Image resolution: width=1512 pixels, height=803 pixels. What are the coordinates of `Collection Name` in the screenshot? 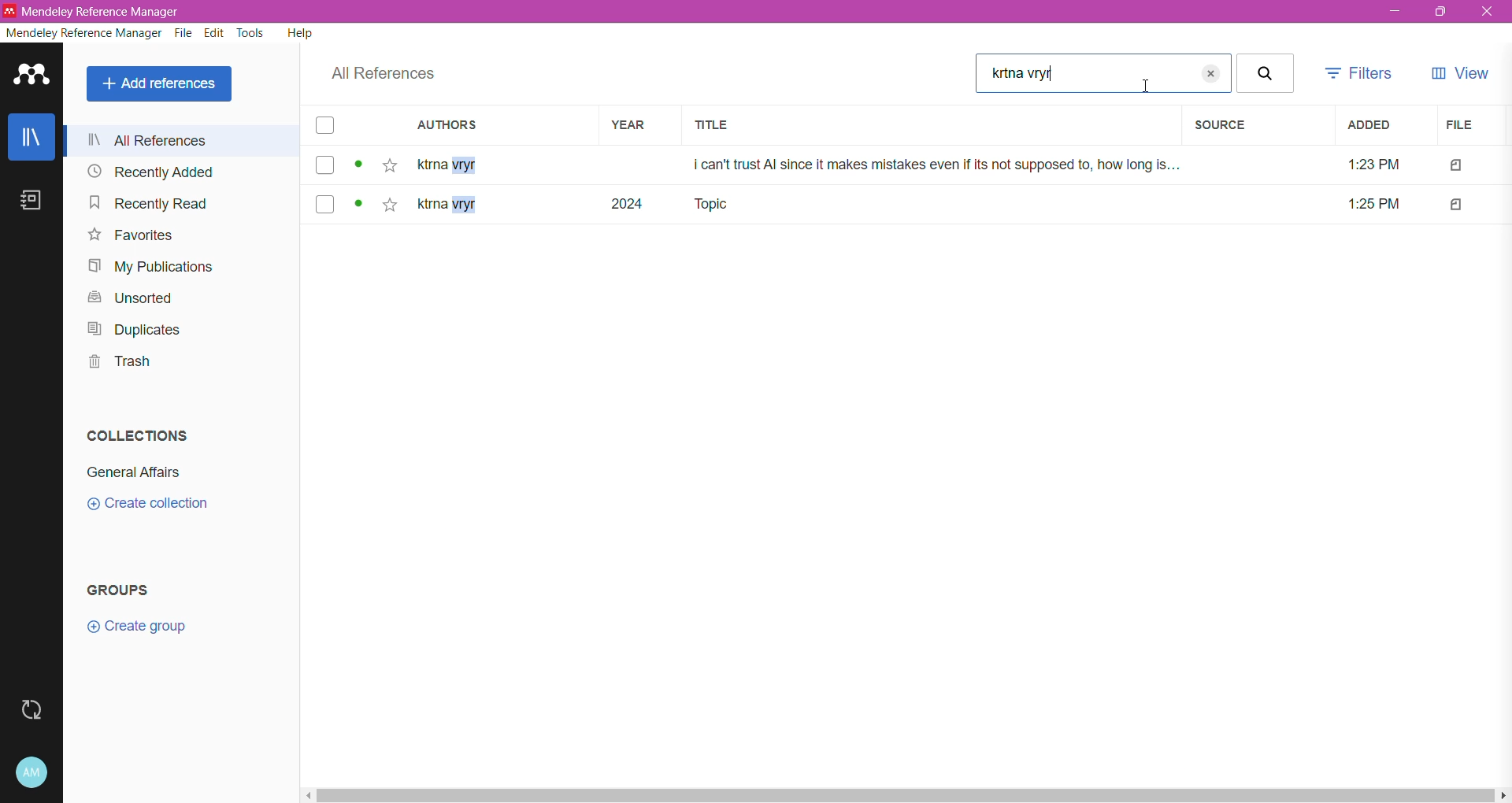 It's located at (139, 472).